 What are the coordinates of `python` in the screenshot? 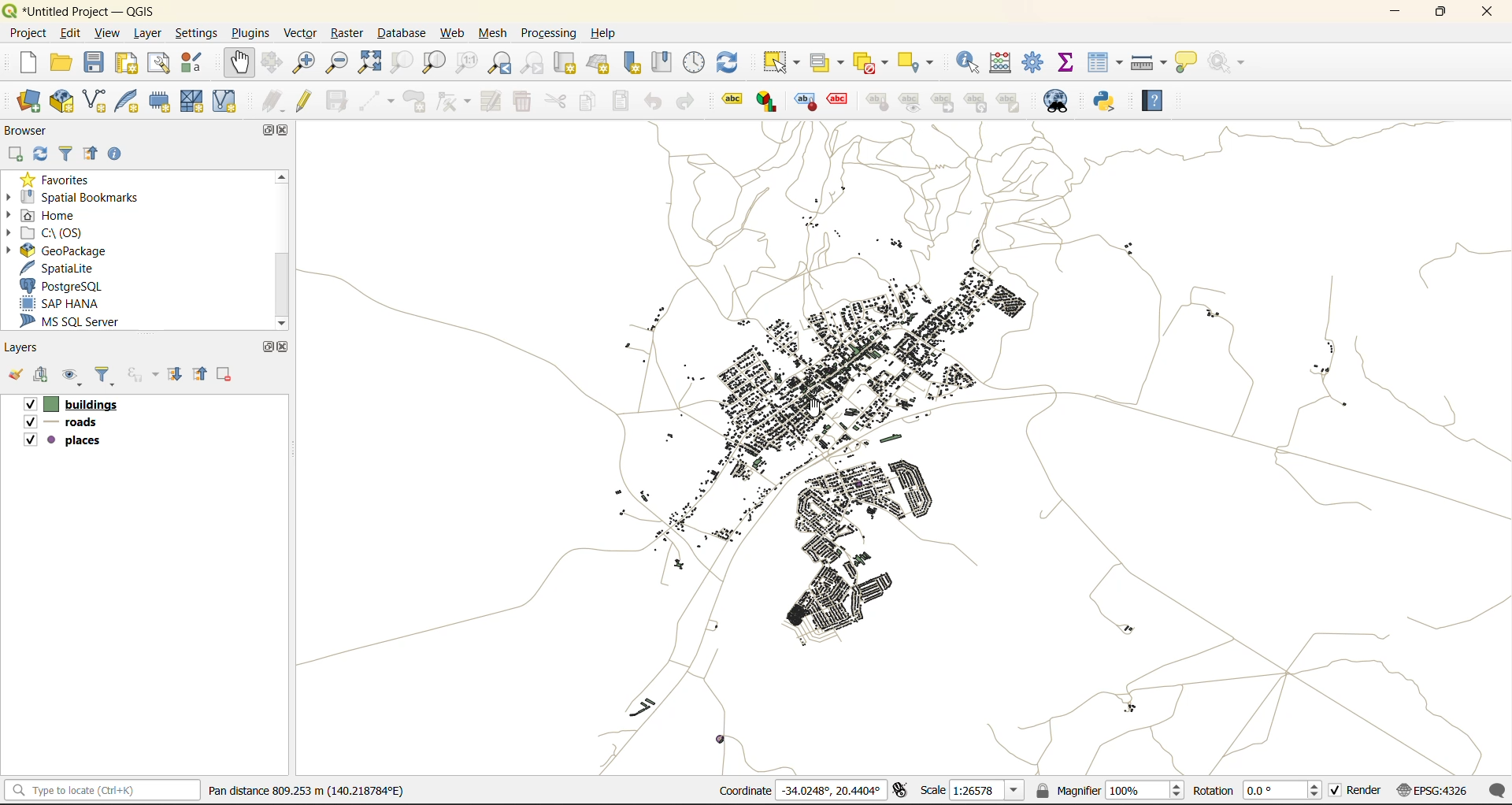 It's located at (1106, 102).